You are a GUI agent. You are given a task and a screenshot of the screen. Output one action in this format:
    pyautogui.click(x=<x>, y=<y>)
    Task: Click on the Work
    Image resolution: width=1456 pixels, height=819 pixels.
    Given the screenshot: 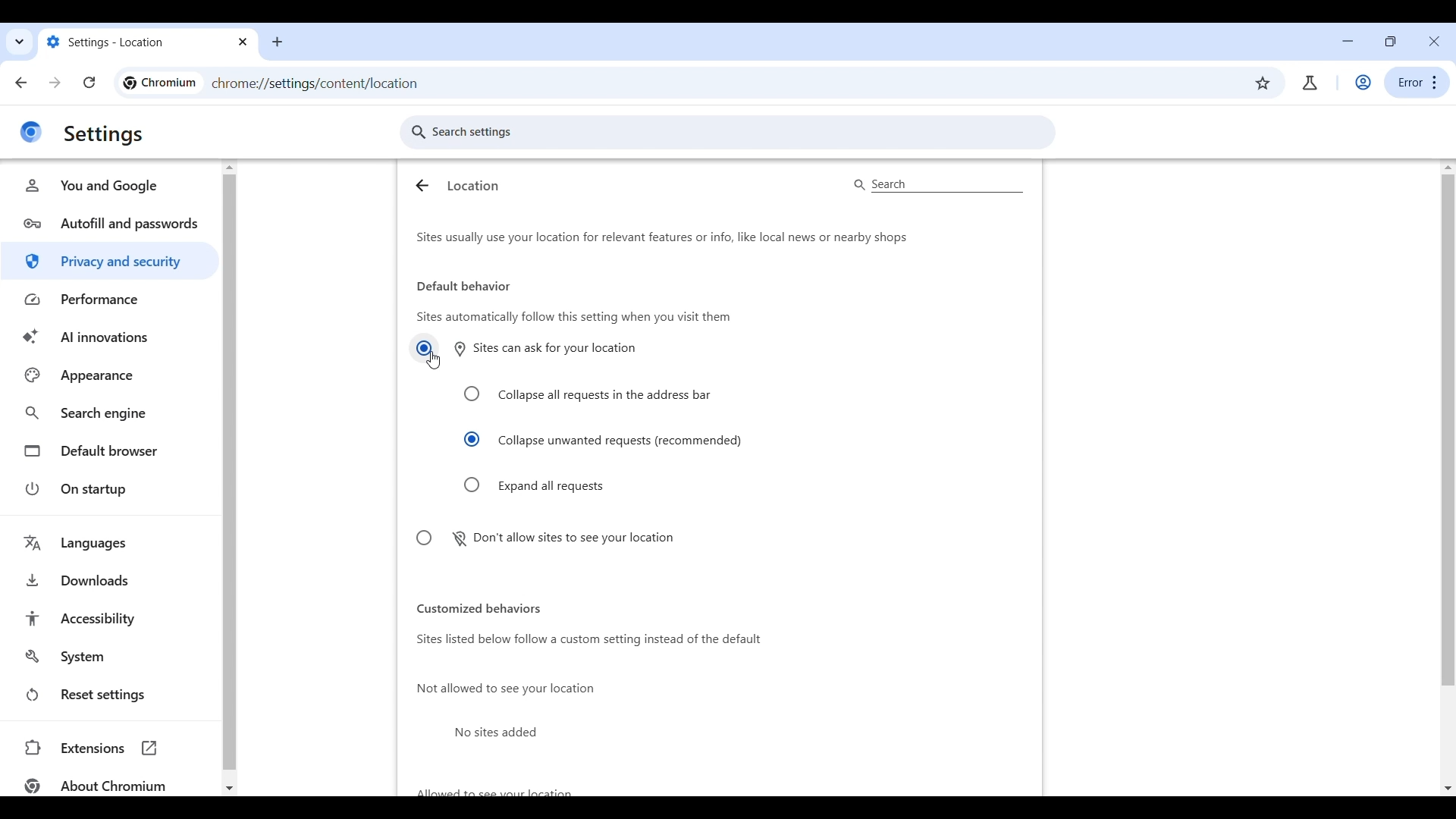 What is the action you would take?
    pyautogui.click(x=1363, y=83)
    